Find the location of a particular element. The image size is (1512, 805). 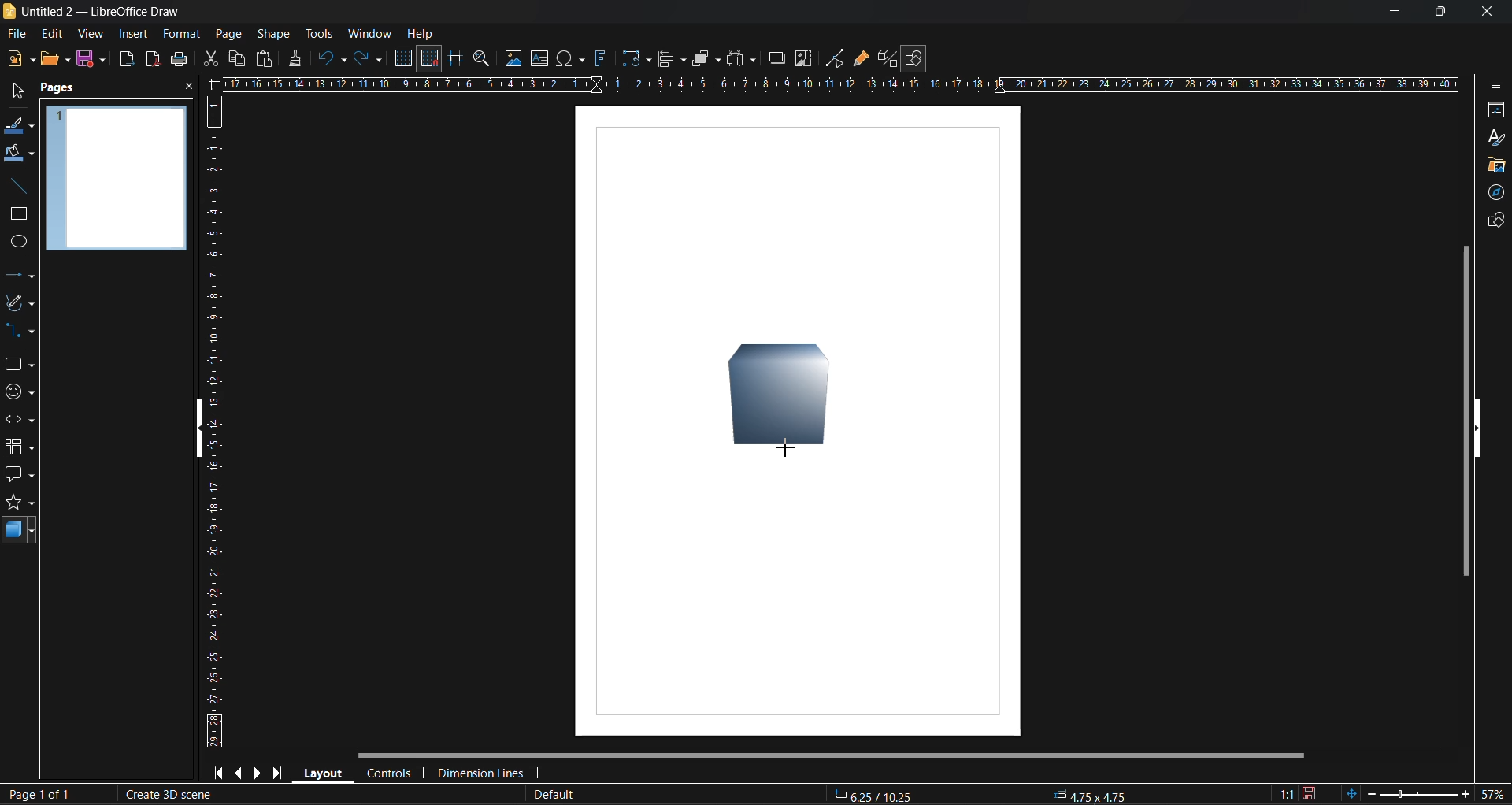

paste is located at coordinates (262, 61).